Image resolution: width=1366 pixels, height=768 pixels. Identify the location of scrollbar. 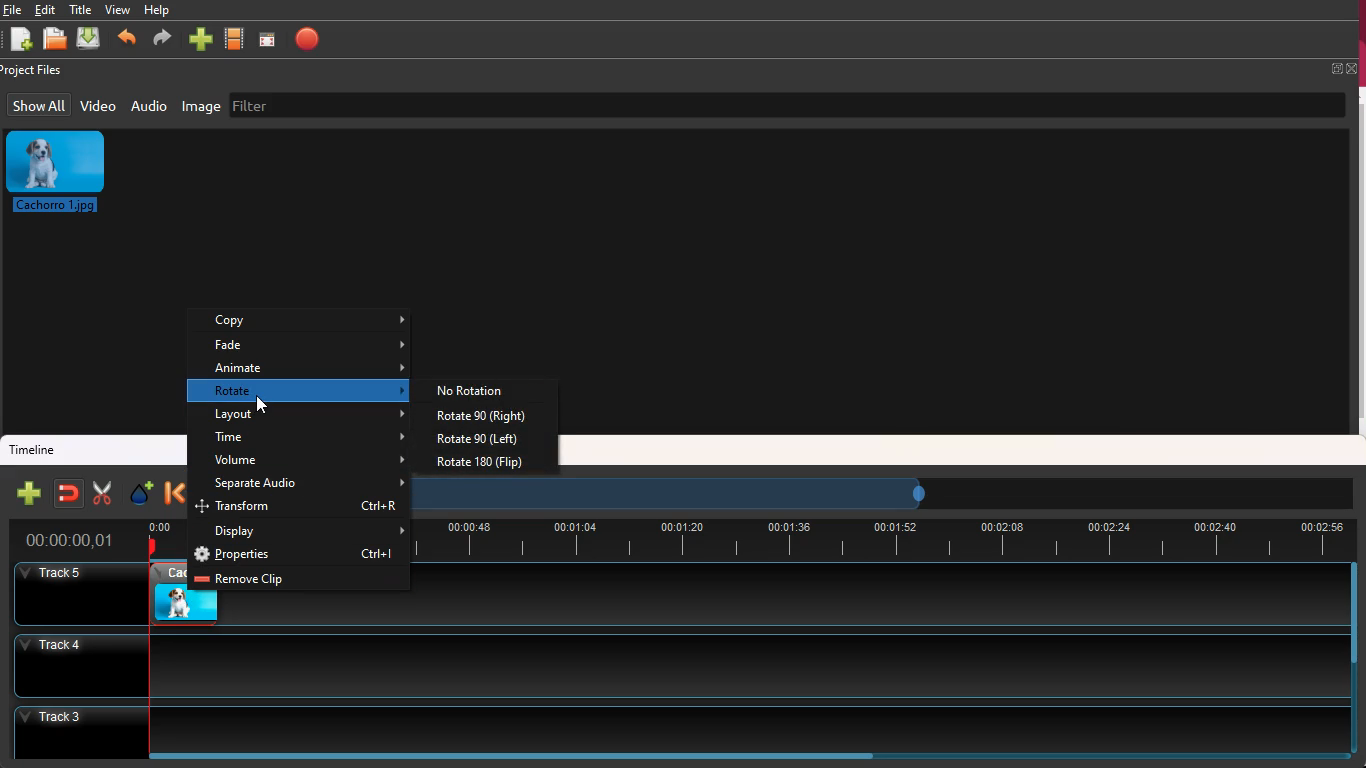
(1348, 660).